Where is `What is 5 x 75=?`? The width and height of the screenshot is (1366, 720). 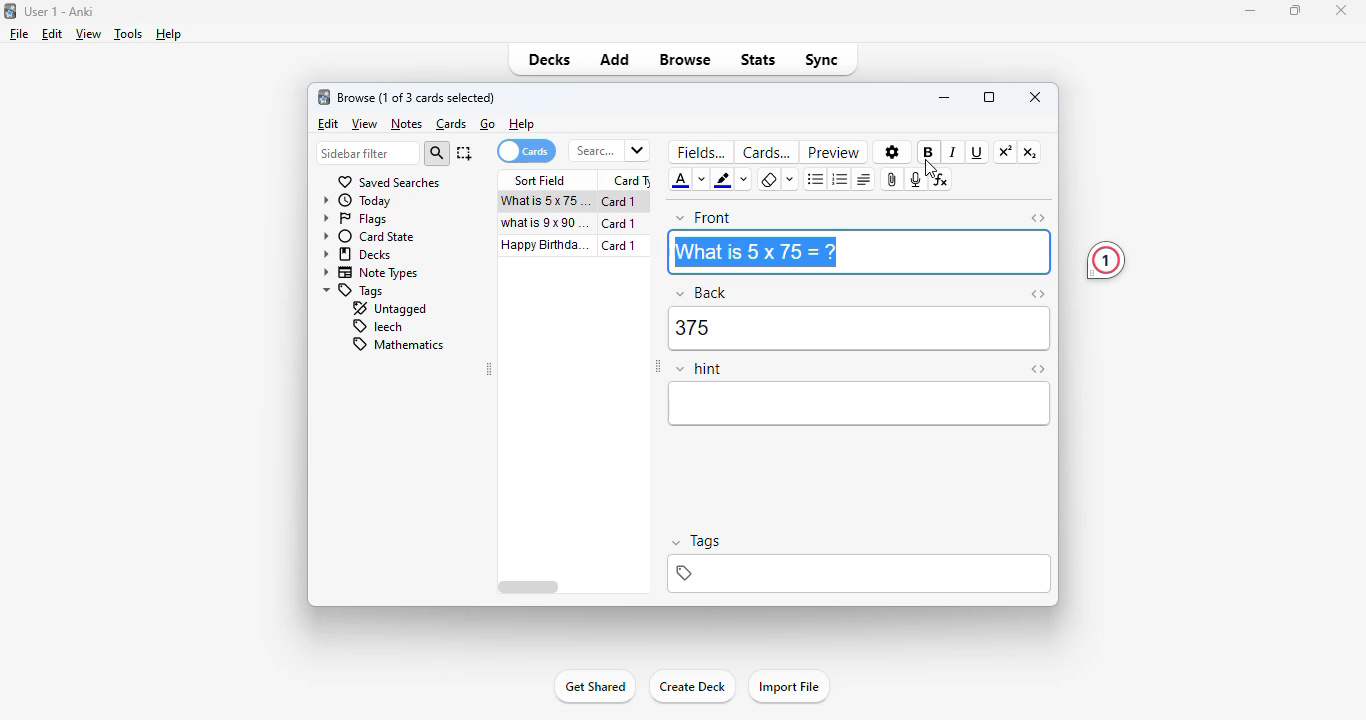
What is 5 x 75=? is located at coordinates (753, 252).